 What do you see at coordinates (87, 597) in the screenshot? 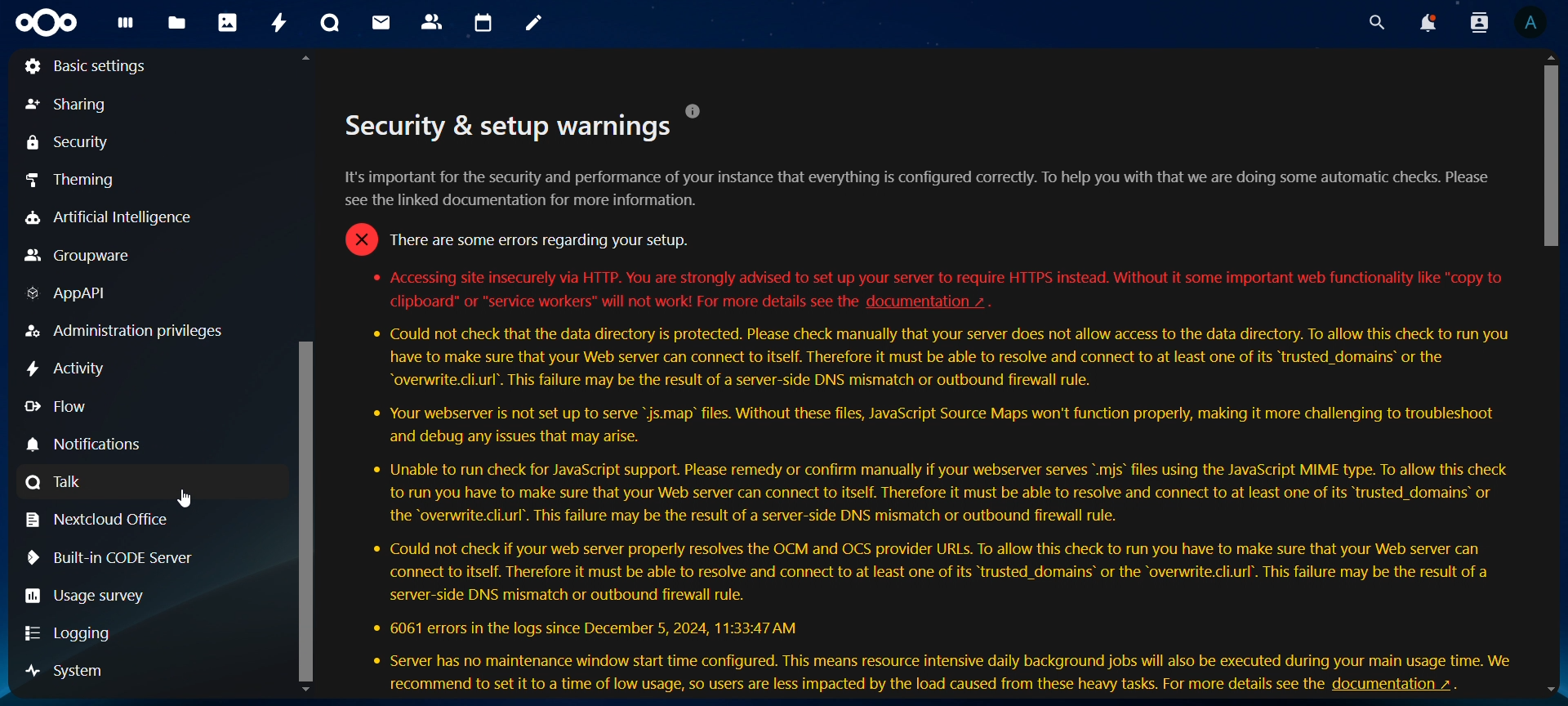
I see `usage survey` at bounding box center [87, 597].